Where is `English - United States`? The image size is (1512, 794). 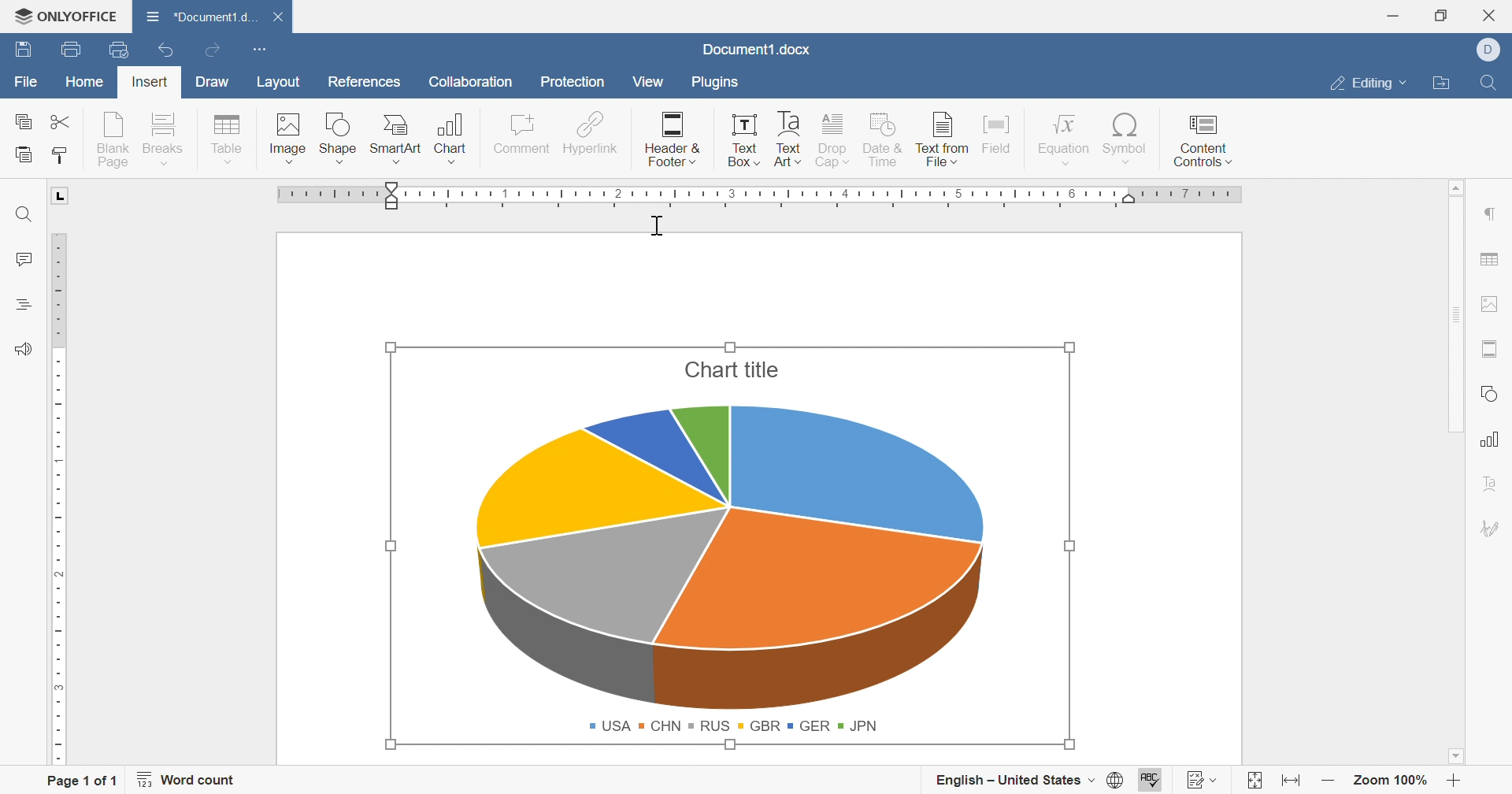 English - United States is located at coordinates (1001, 777).